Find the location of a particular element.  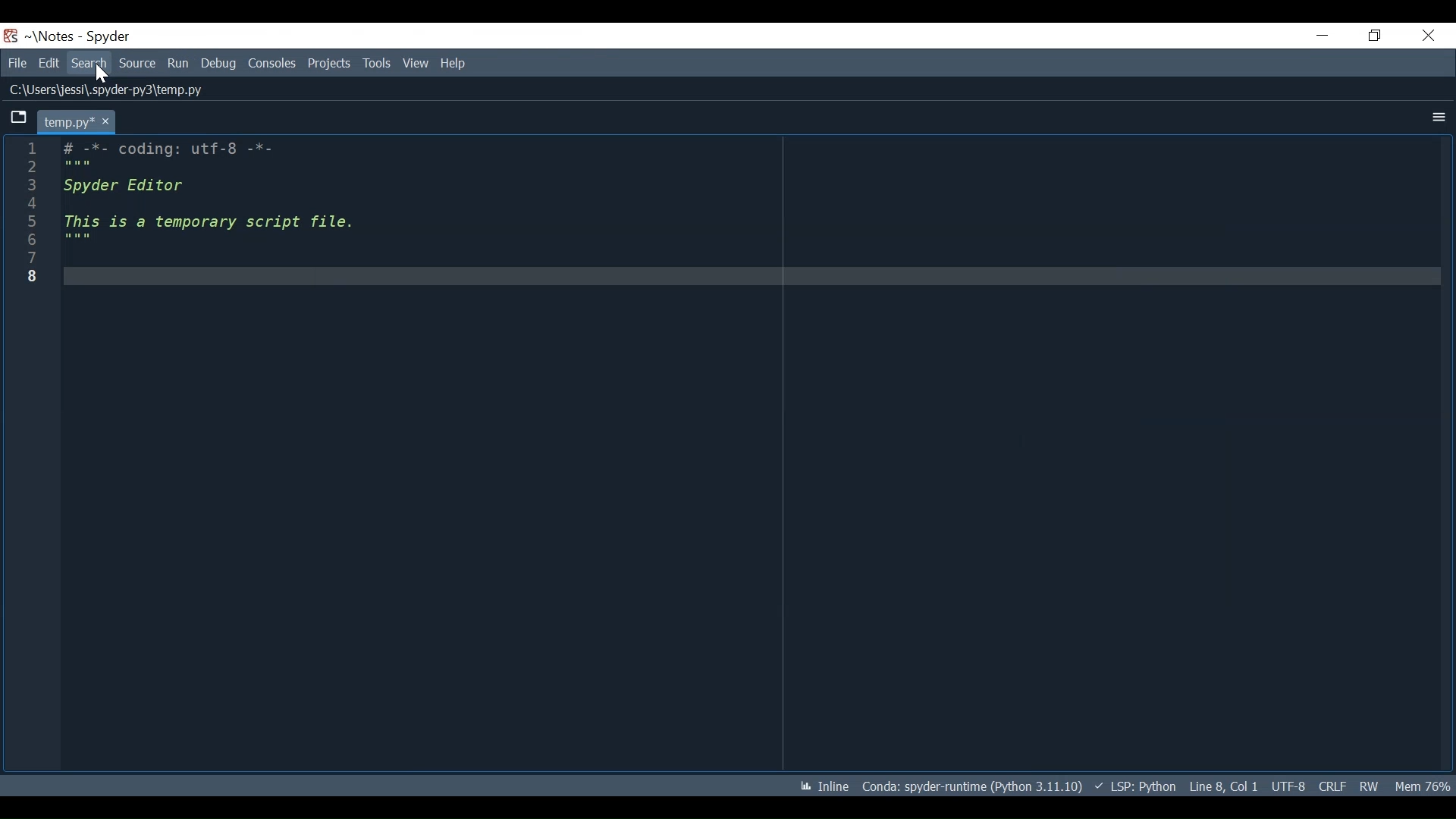

Restore is located at coordinates (1376, 33).